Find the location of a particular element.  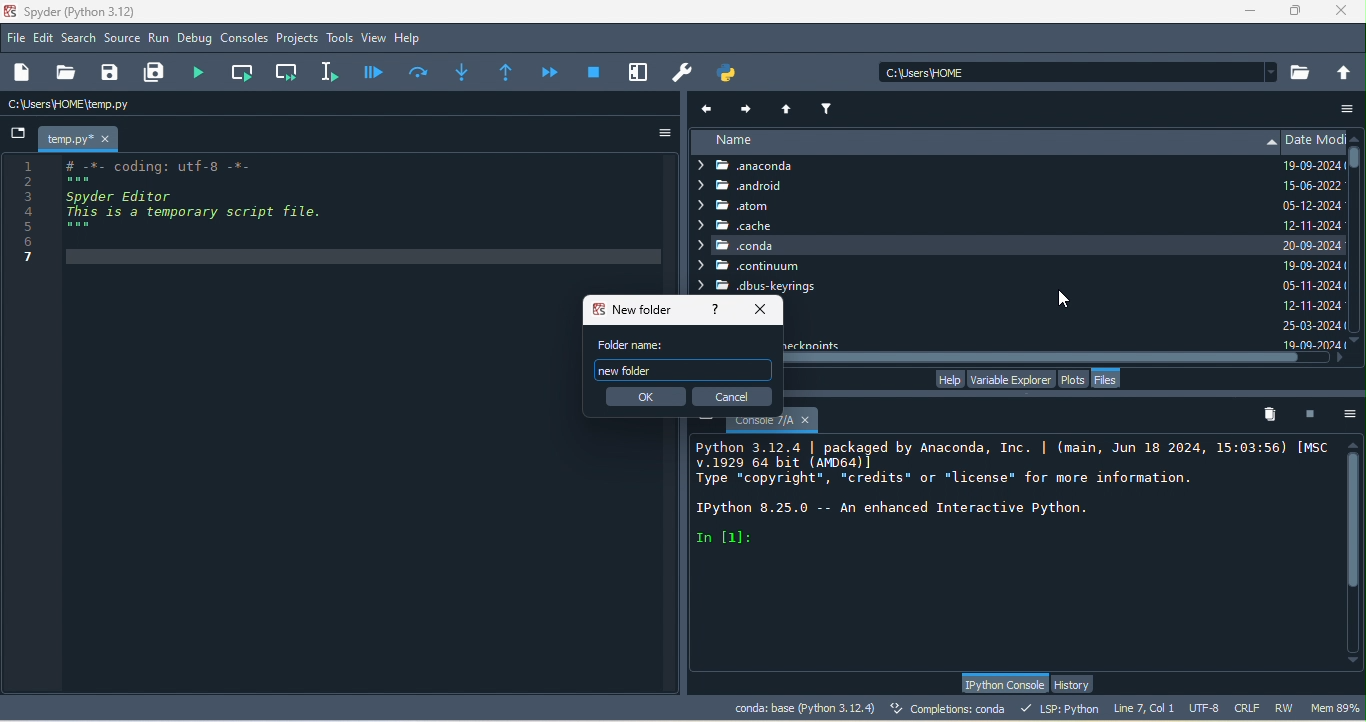

new is located at coordinates (25, 73).